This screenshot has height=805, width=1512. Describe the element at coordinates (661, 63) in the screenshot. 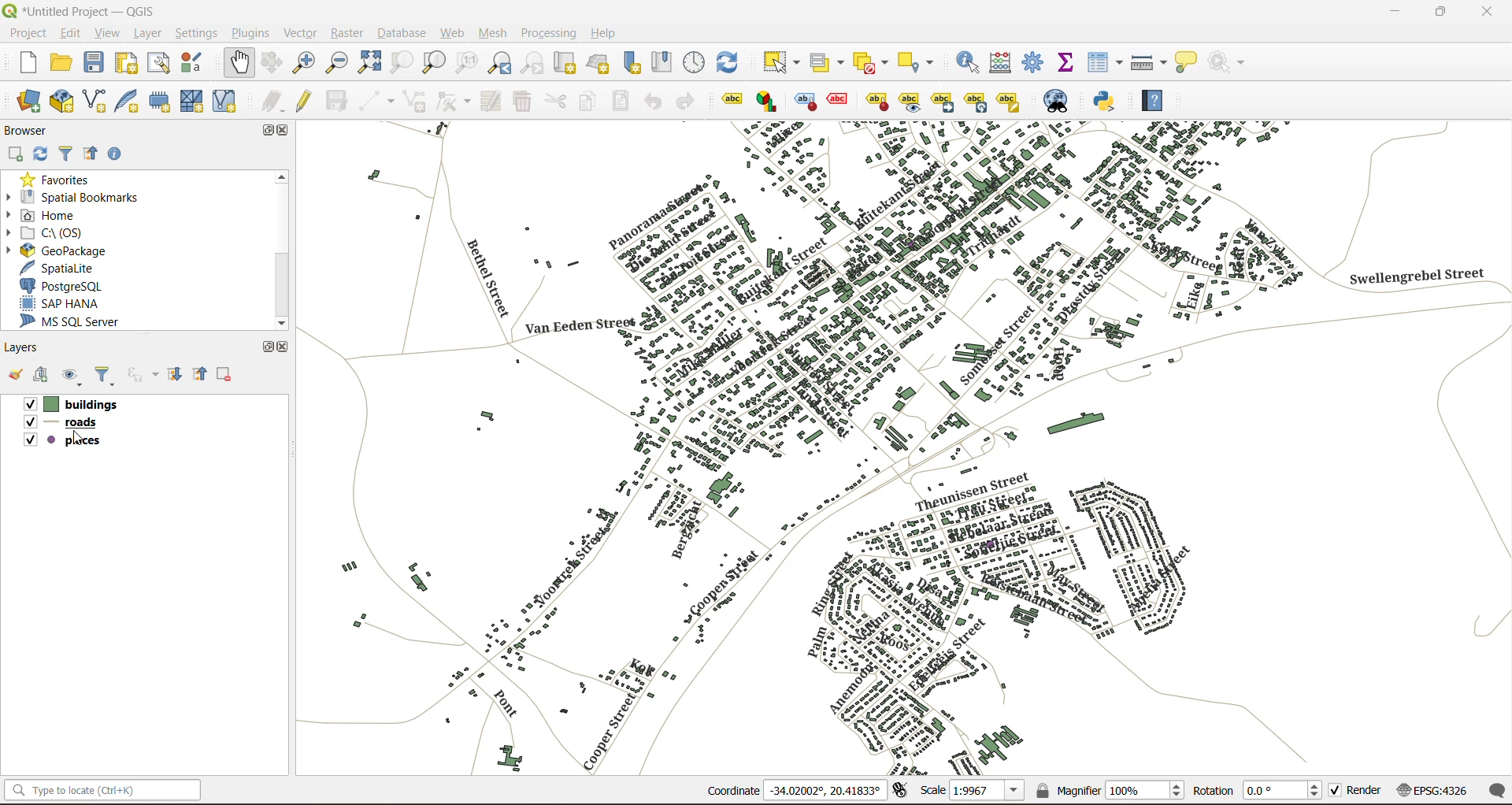

I see `show spatial bookmark` at that location.